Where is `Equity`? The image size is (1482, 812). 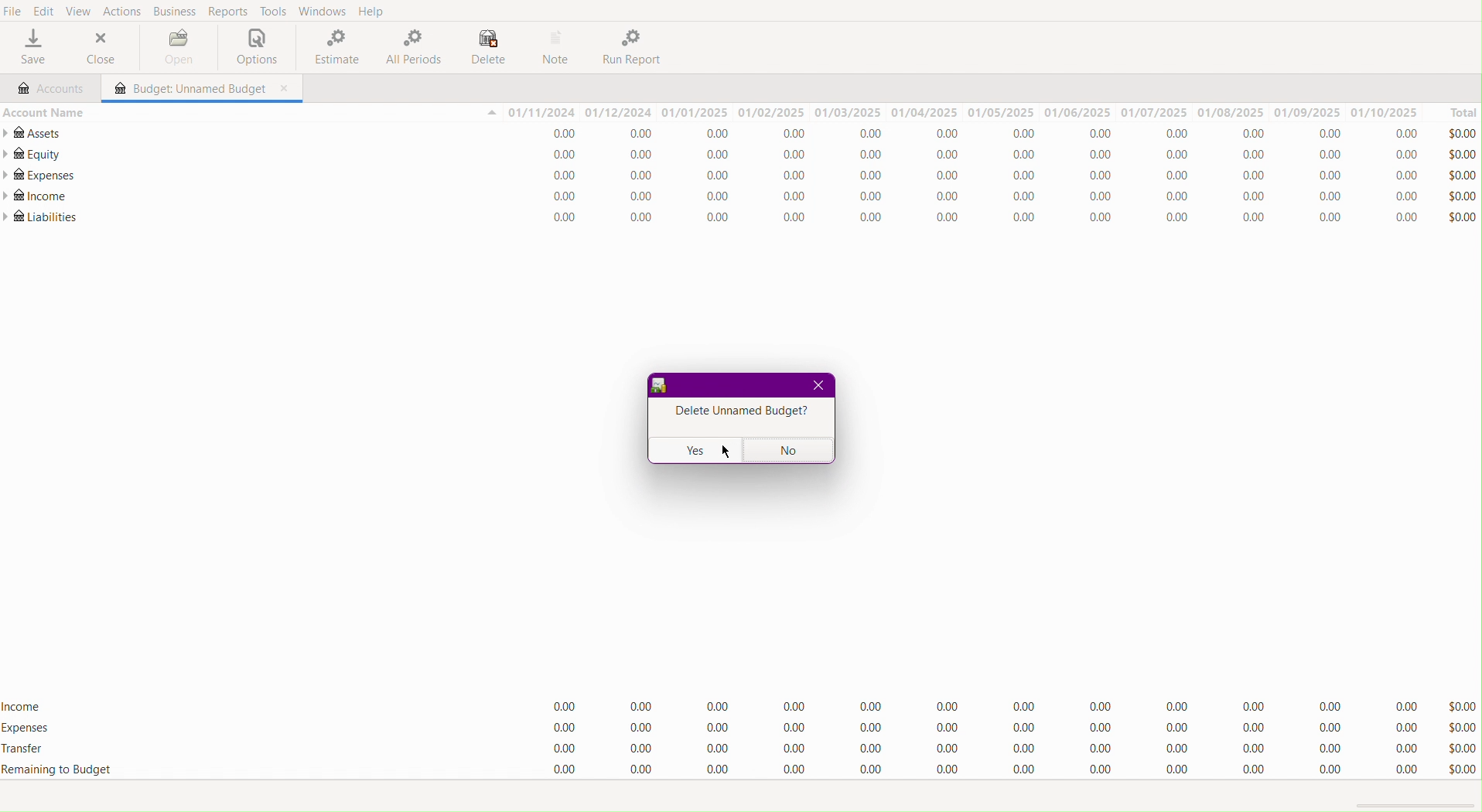 Equity is located at coordinates (32, 154).